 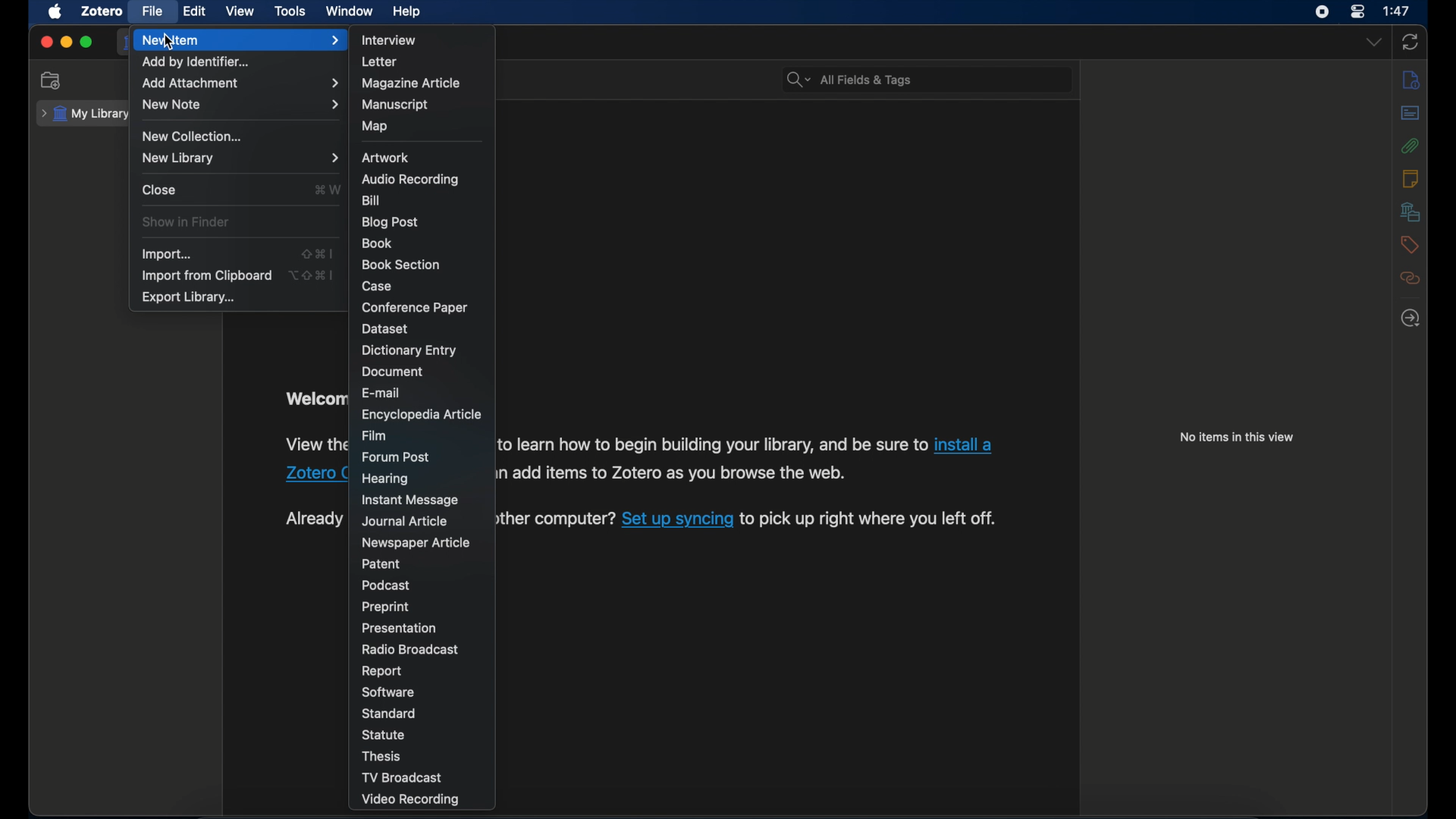 What do you see at coordinates (400, 627) in the screenshot?
I see `presentation` at bounding box center [400, 627].